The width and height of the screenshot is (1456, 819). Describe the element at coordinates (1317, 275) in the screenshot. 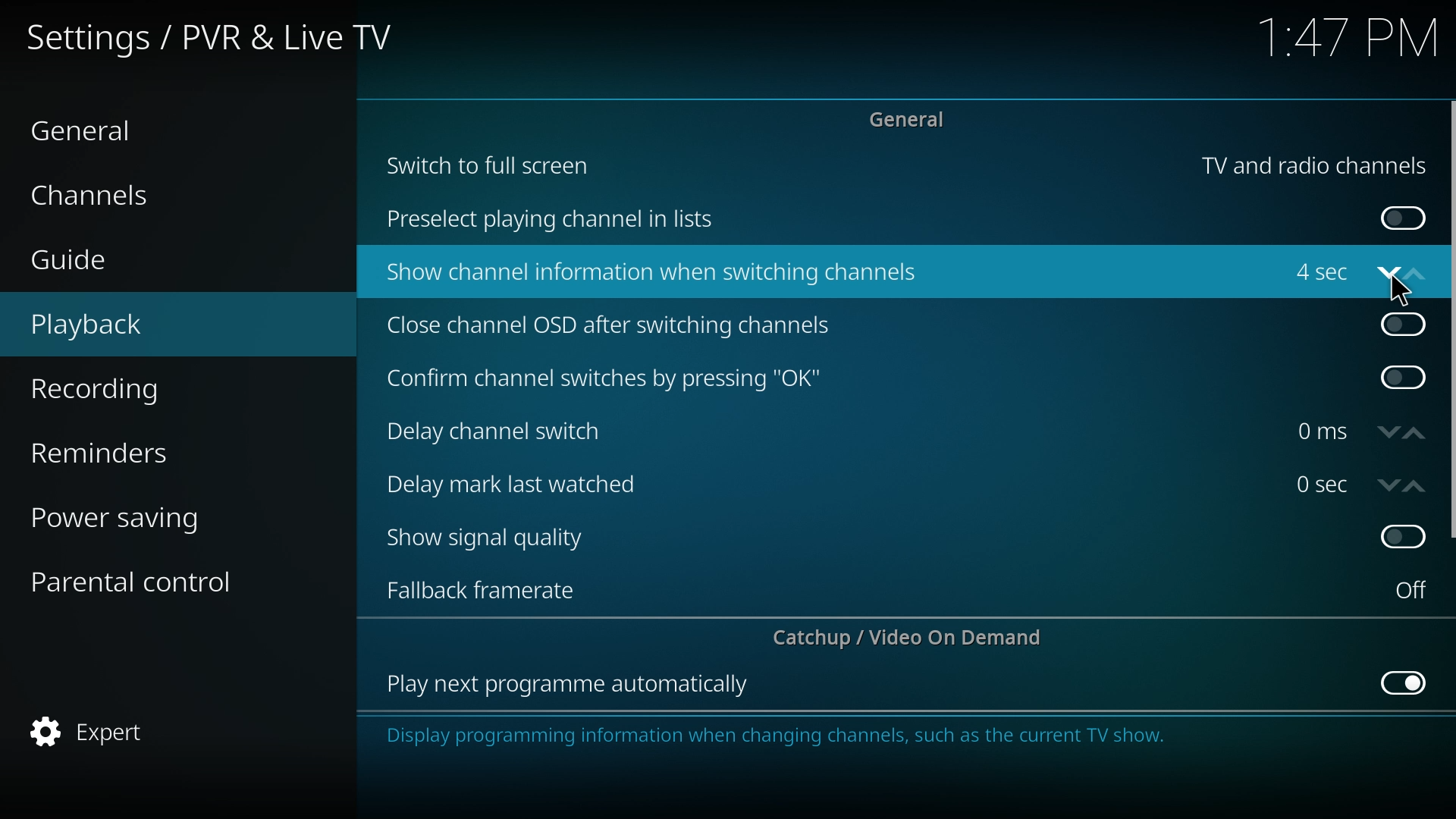

I see `time` at that location.